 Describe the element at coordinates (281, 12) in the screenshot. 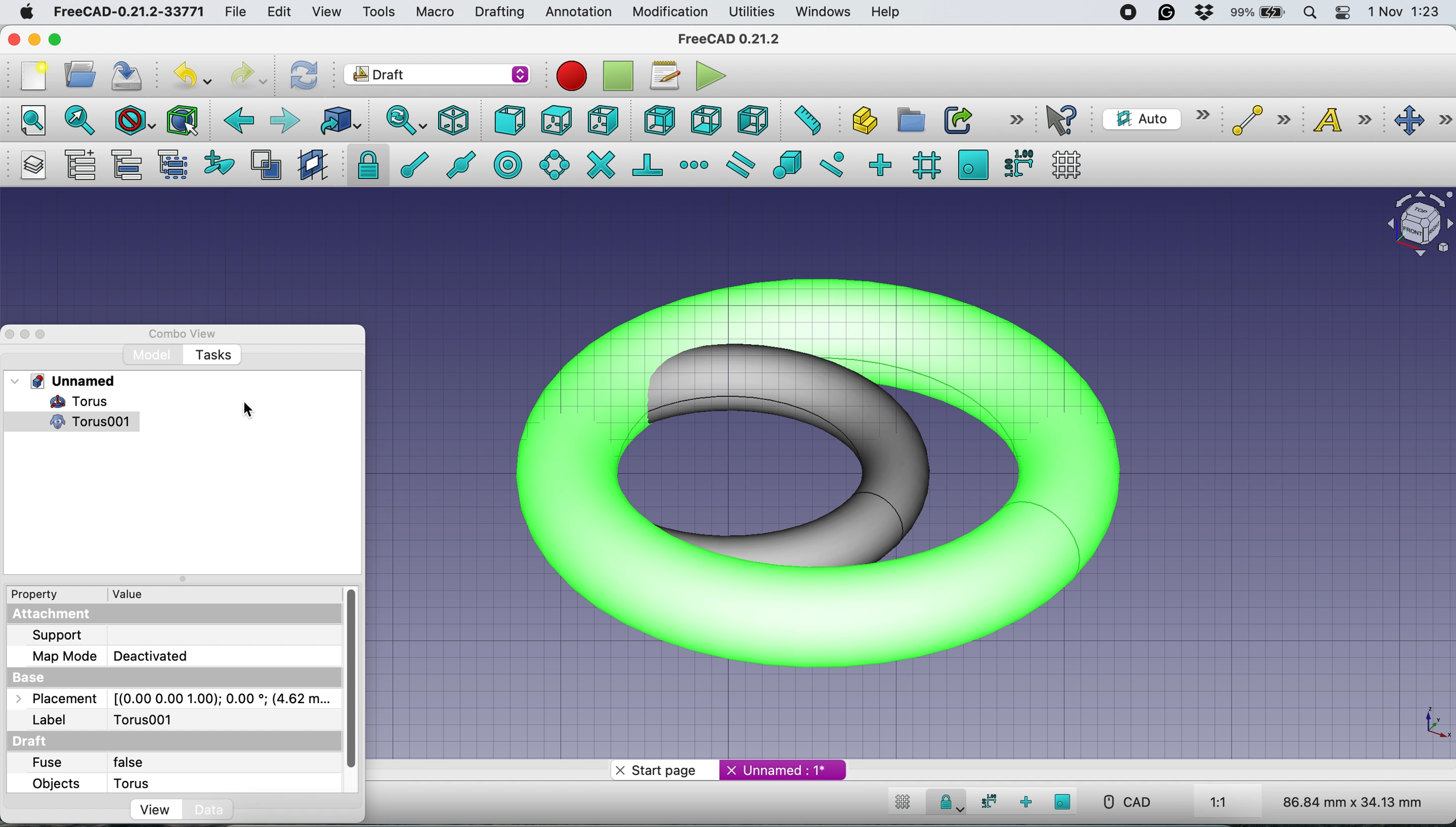

I see `edit` at that location.